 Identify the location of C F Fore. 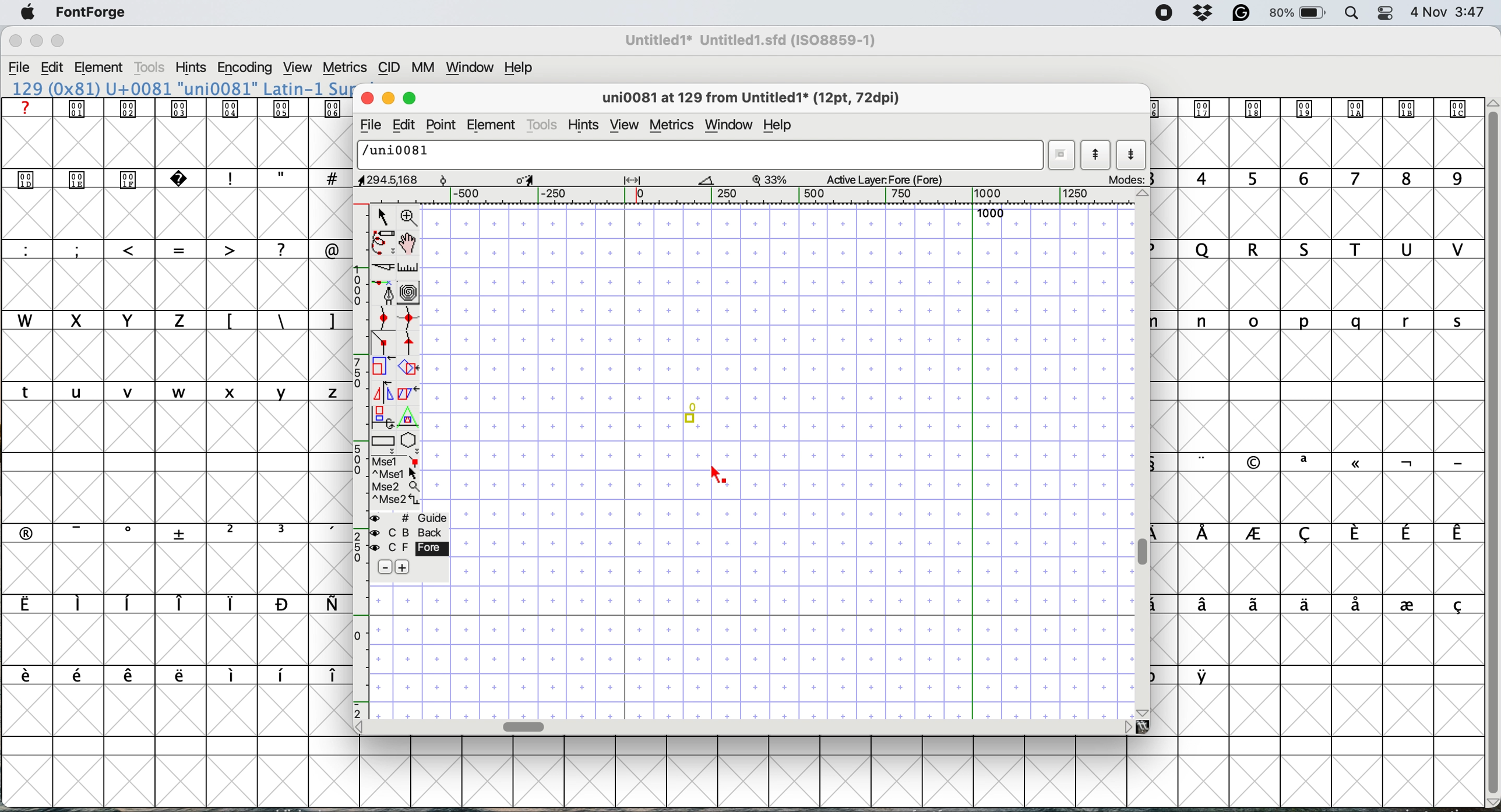
(413, 549).